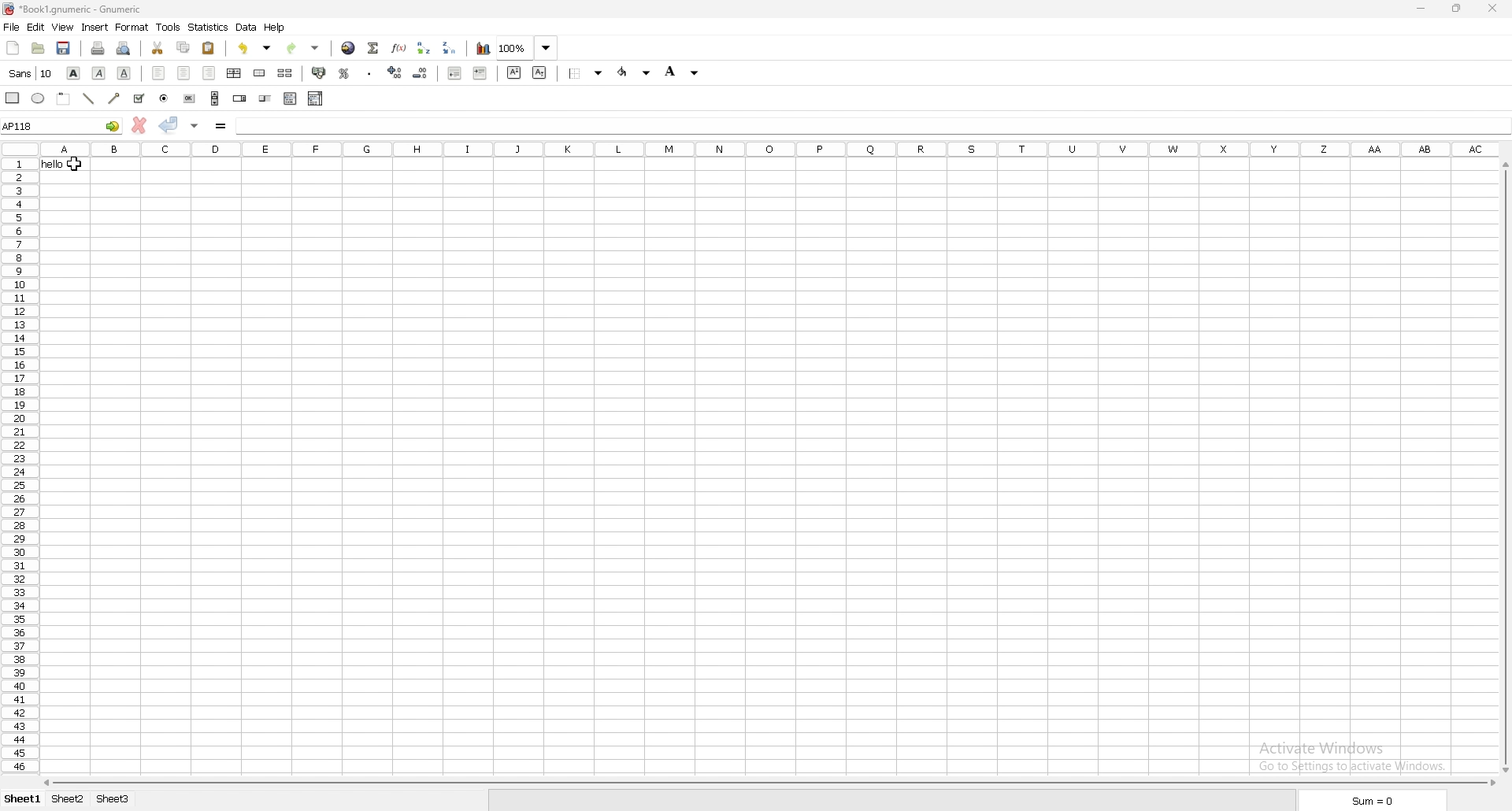 The width and height of the screenshot is (1512, 811). What do you see at coordinates (190, 98) in the screenshot?
I see `button` at bounding box center [190, 98].